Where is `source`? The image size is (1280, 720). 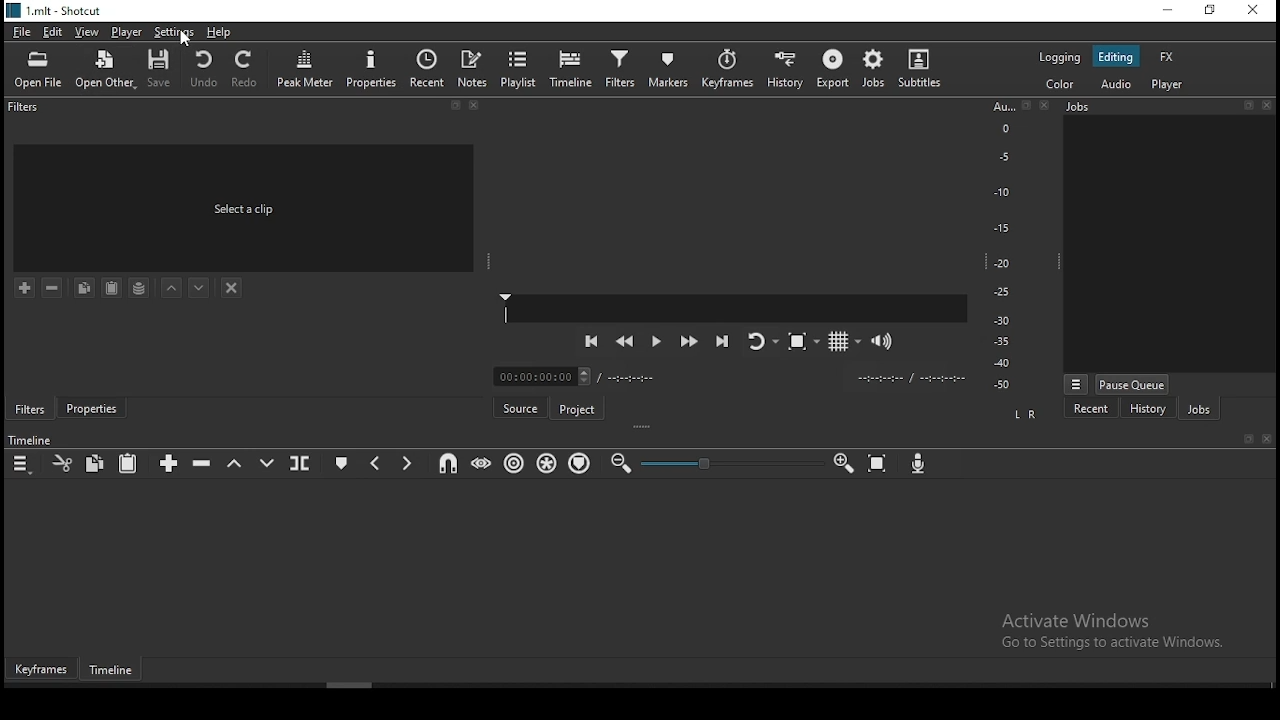
source is located at coordinates (519, 406).